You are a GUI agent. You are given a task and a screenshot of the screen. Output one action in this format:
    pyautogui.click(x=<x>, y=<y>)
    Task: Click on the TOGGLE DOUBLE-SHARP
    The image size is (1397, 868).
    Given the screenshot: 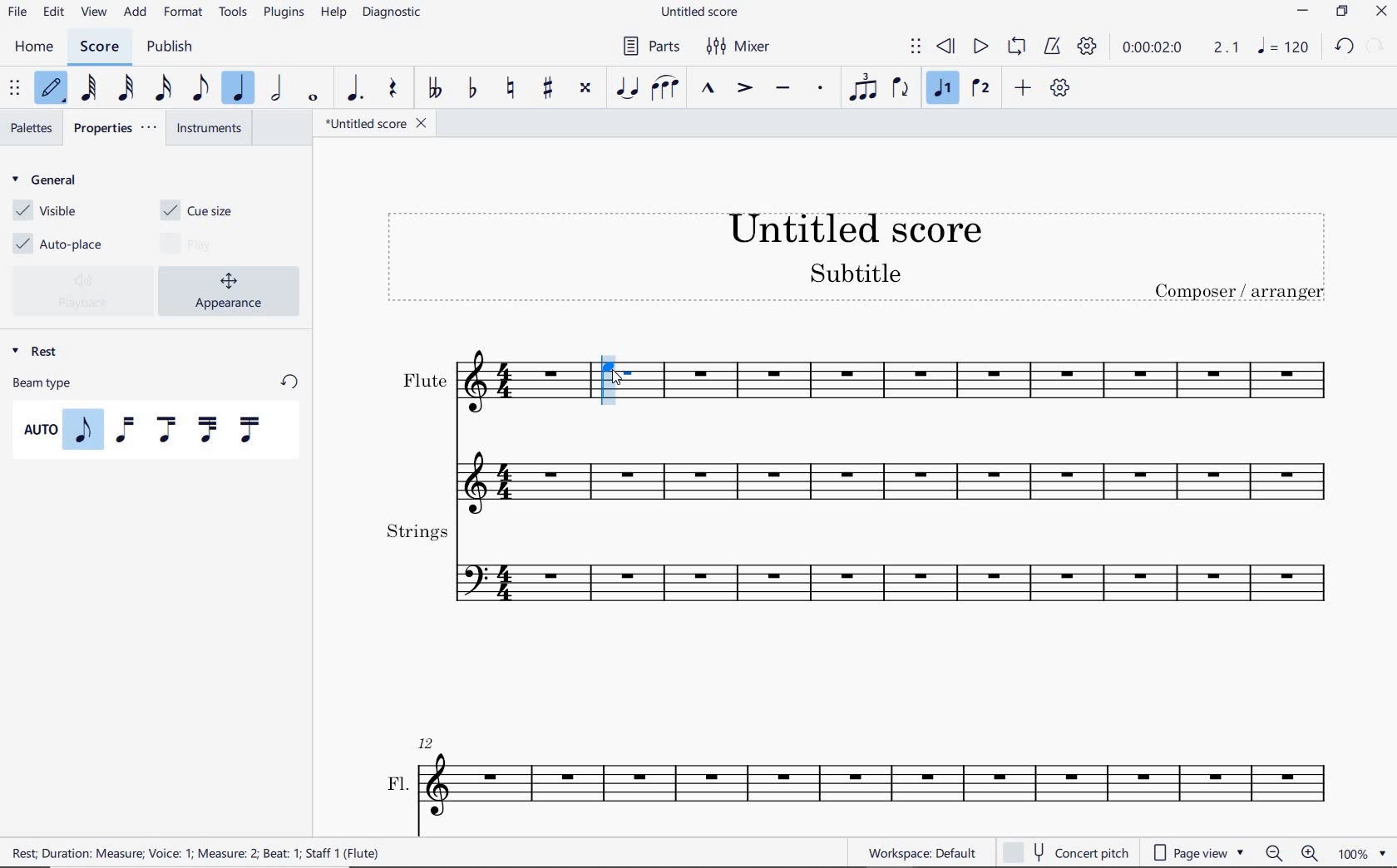 What is the action you would take?
    pyautogui.click(x=585, y=86)
    